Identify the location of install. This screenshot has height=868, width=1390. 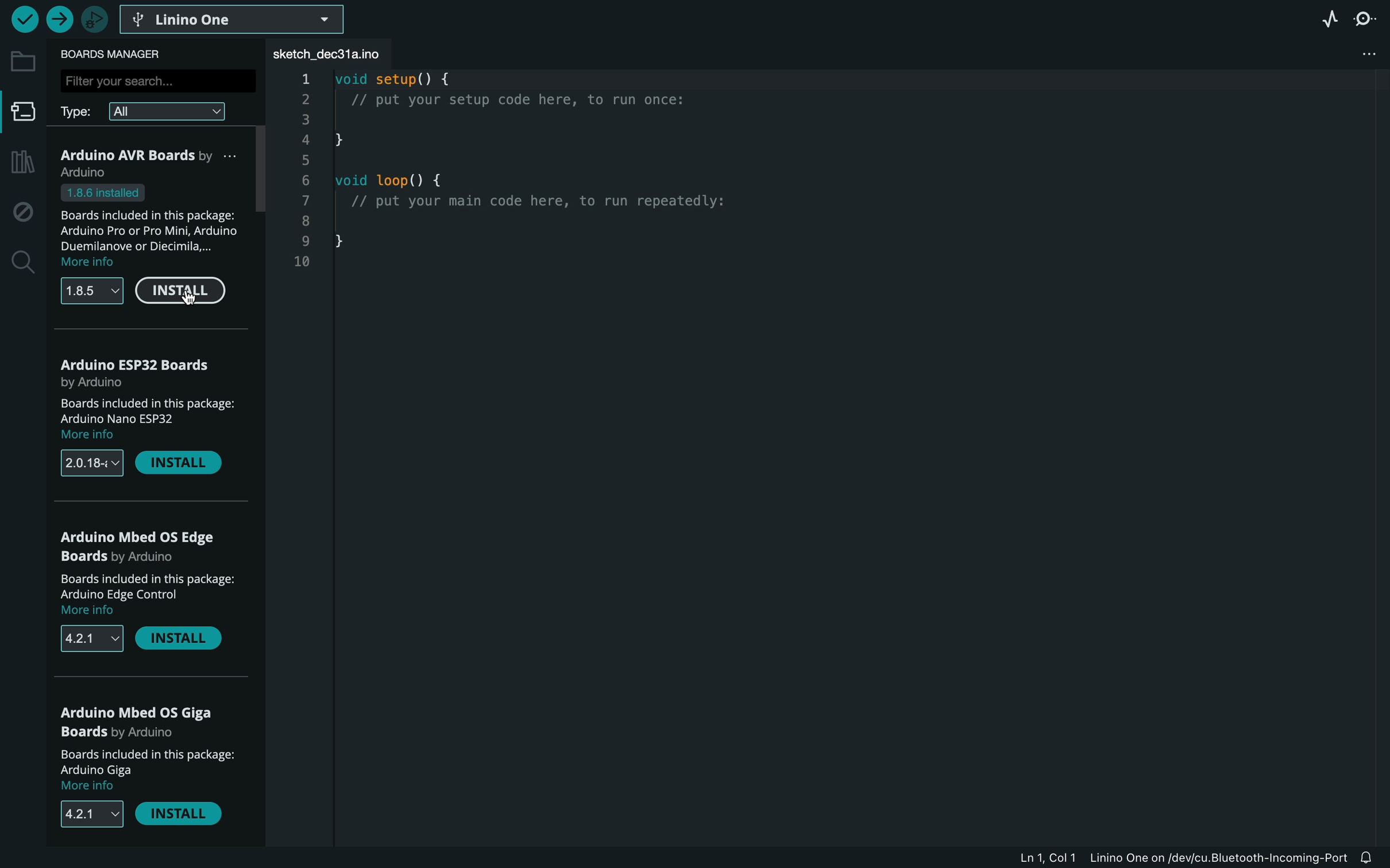
(179, 464).